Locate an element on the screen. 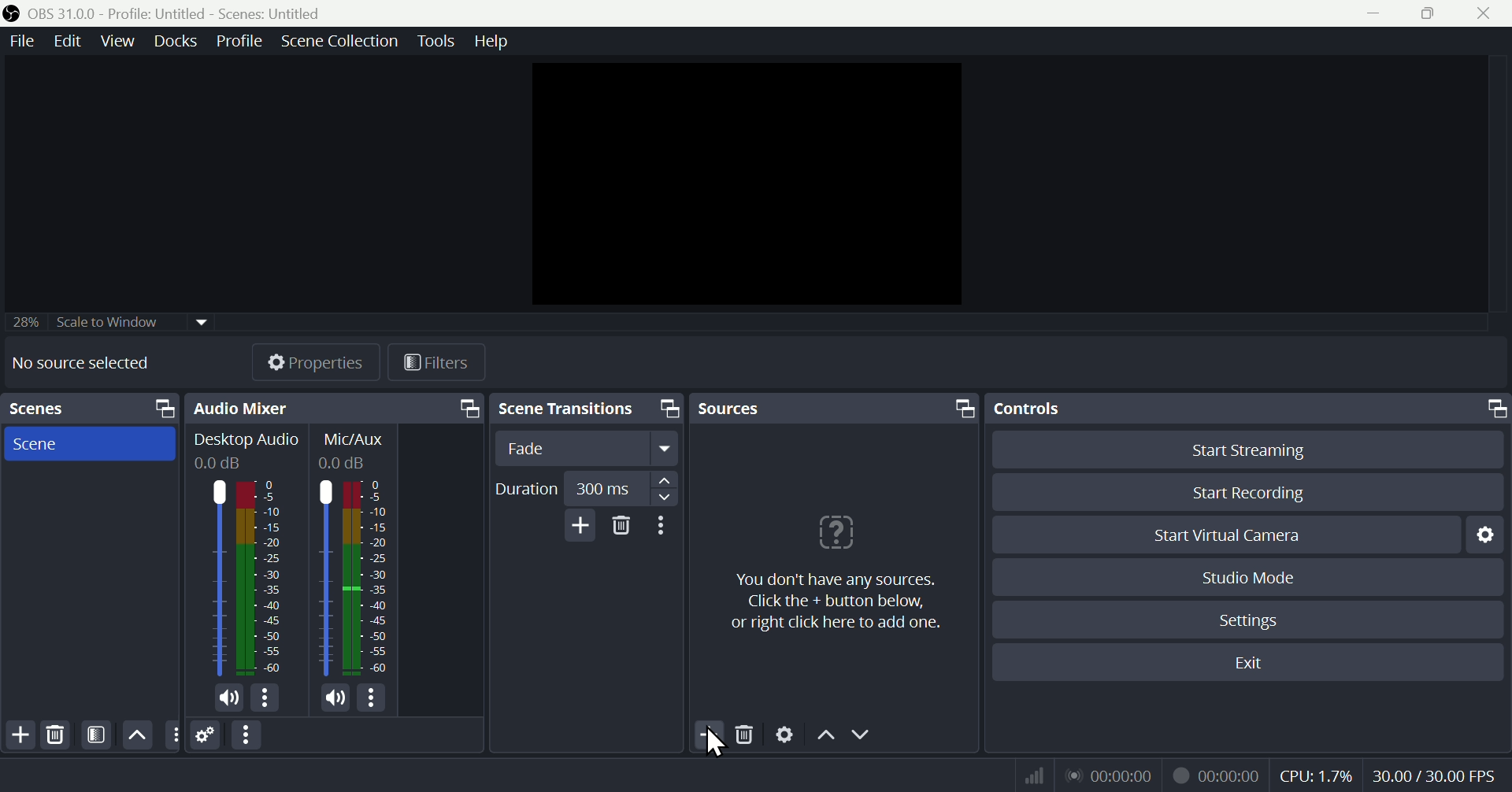  Close is located at coordinates (1482, 13).